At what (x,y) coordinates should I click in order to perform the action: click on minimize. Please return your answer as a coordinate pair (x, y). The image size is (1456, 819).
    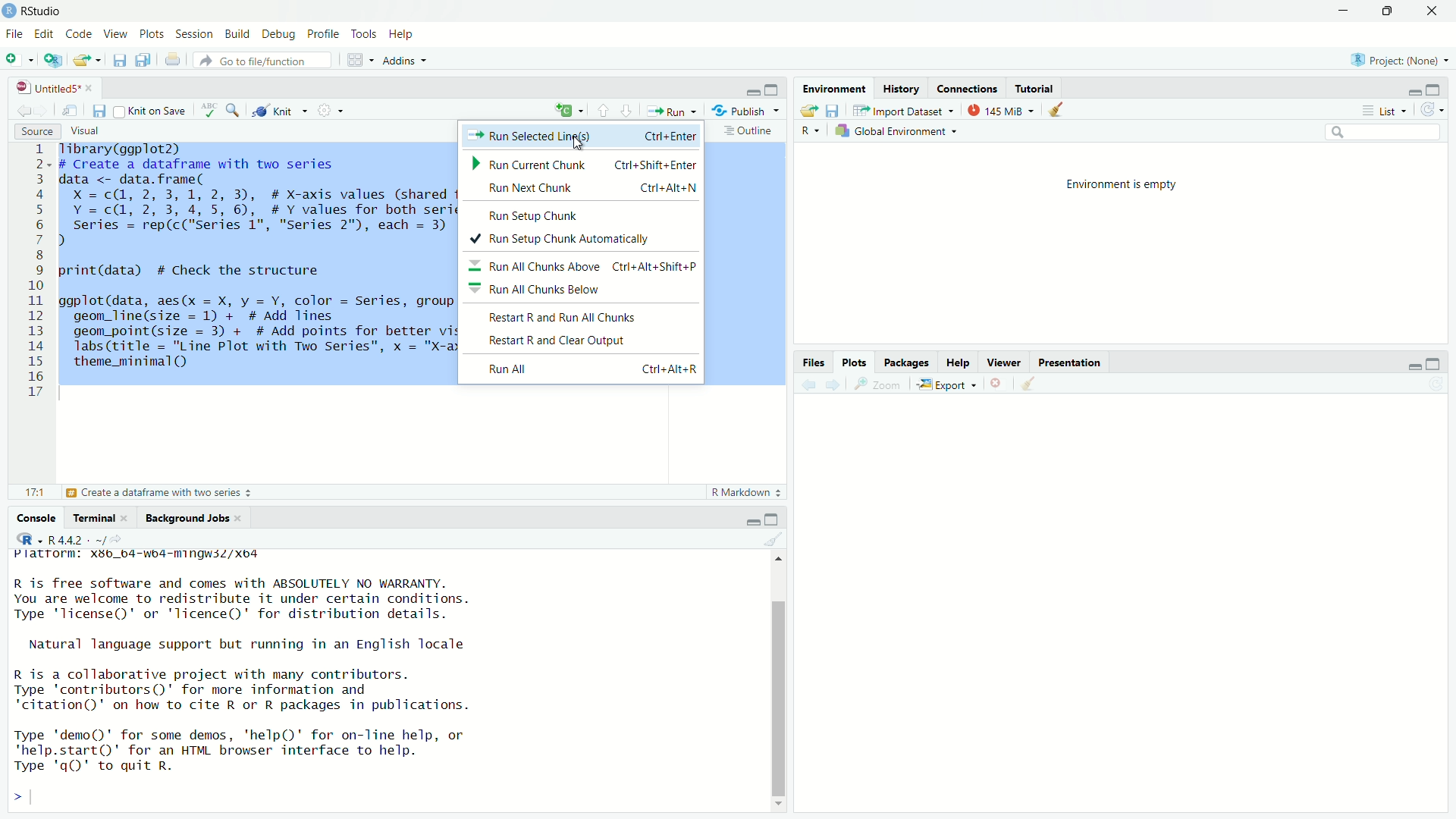
    Looking at the image, I should click on (1412, 366).